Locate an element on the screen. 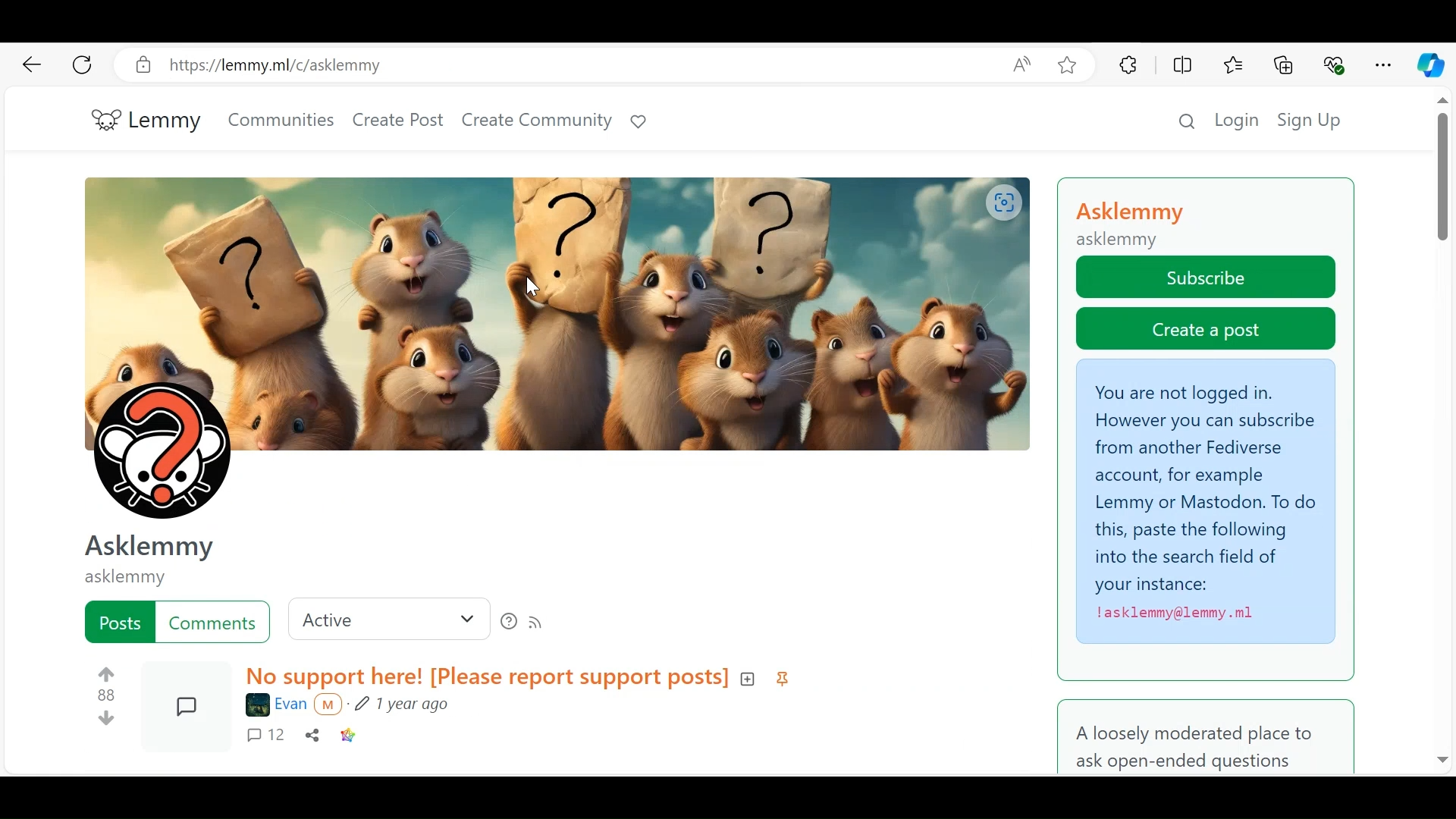  Sign up is located at coordinates (1310, 119).